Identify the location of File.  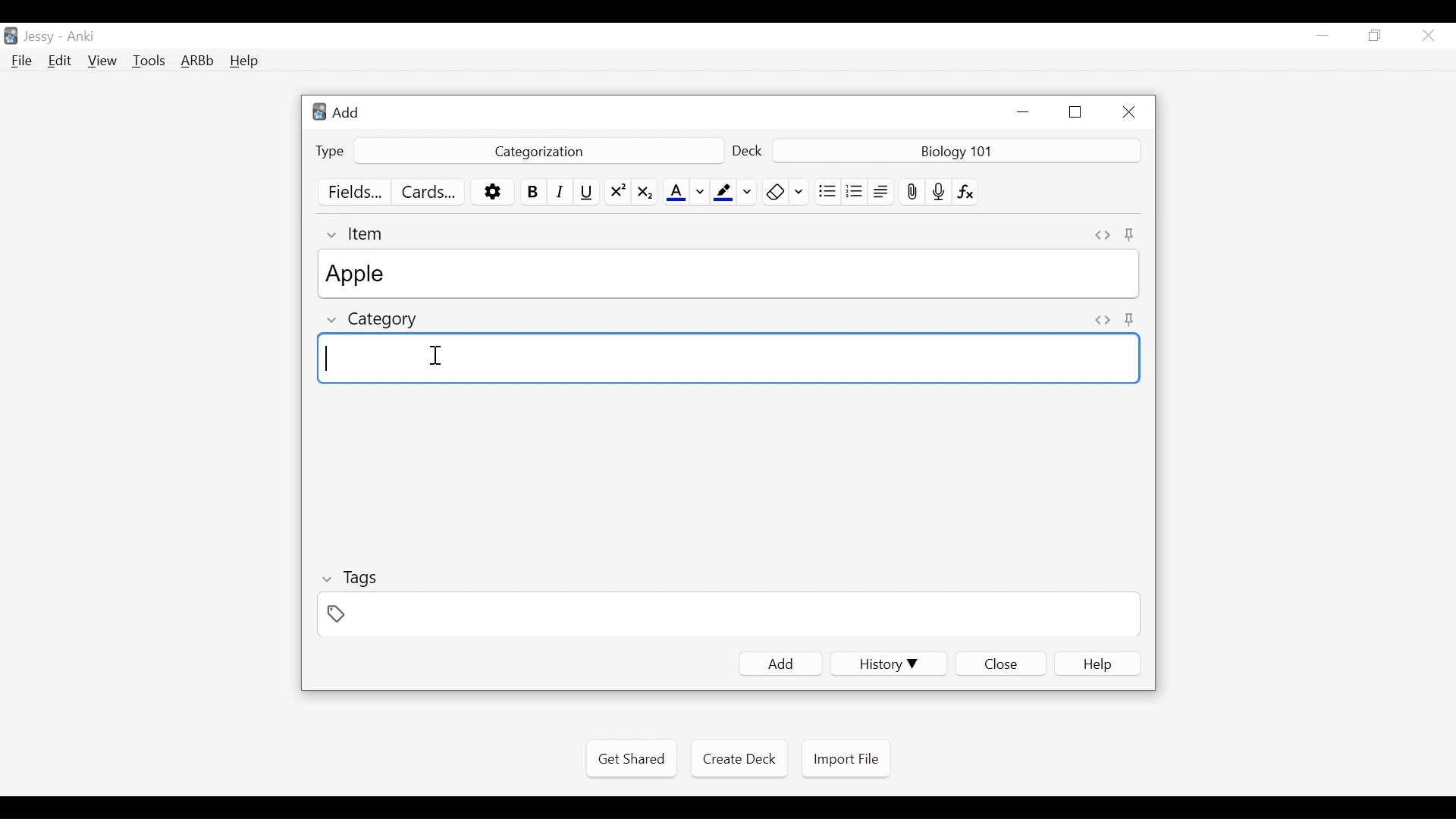
(22, 62).